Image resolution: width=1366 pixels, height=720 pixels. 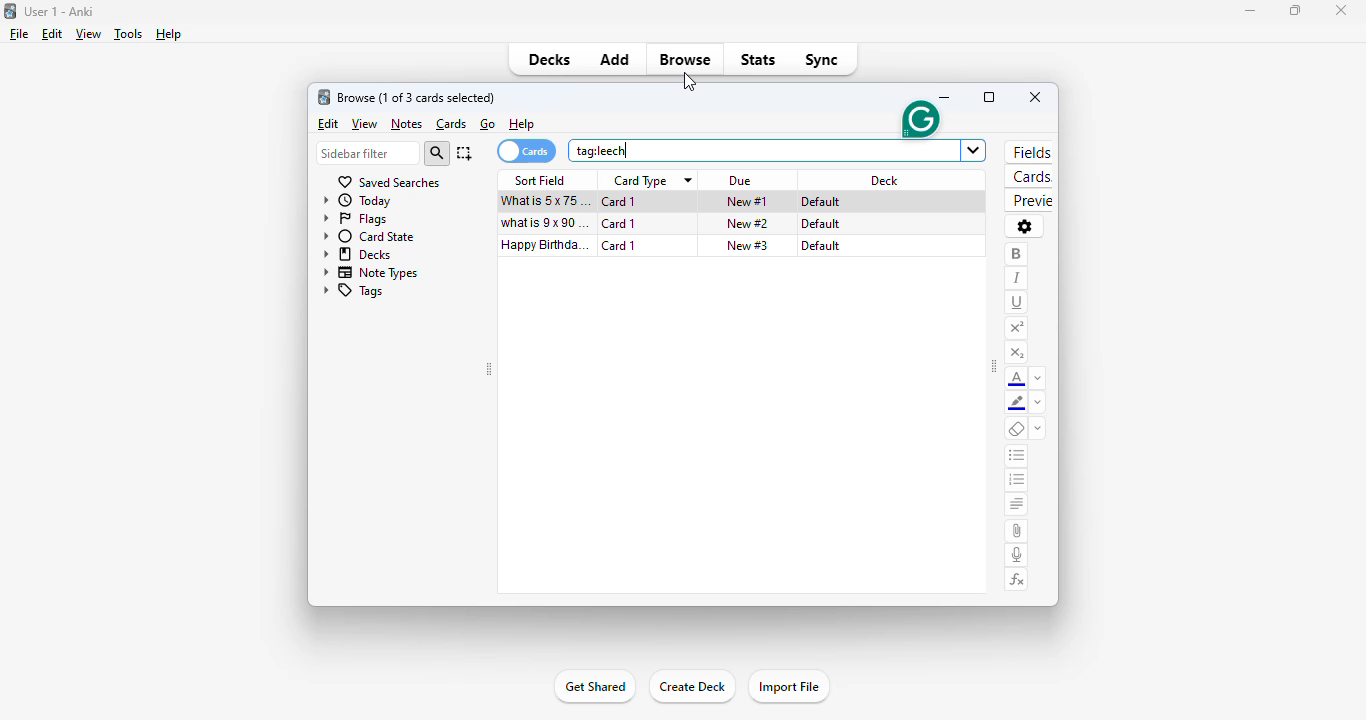 What do you see at coordinates (465, 153) in the screenshot?
I see `select` at bounding box center [465, 153].